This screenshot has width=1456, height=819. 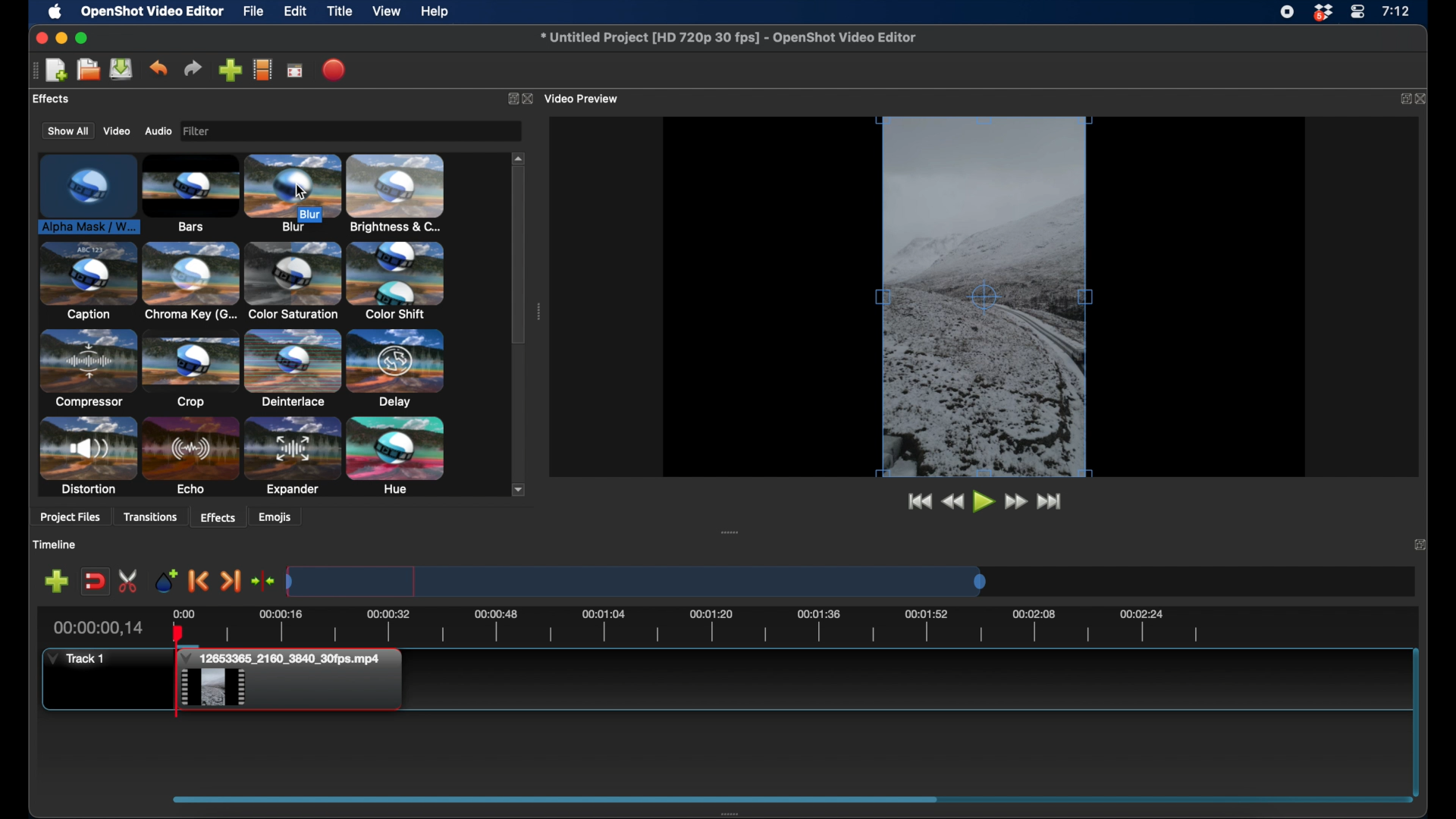 What do you see at coordinates (86, 368) in the screenshot?
I see `compressor` at bounding box center [86, 368].